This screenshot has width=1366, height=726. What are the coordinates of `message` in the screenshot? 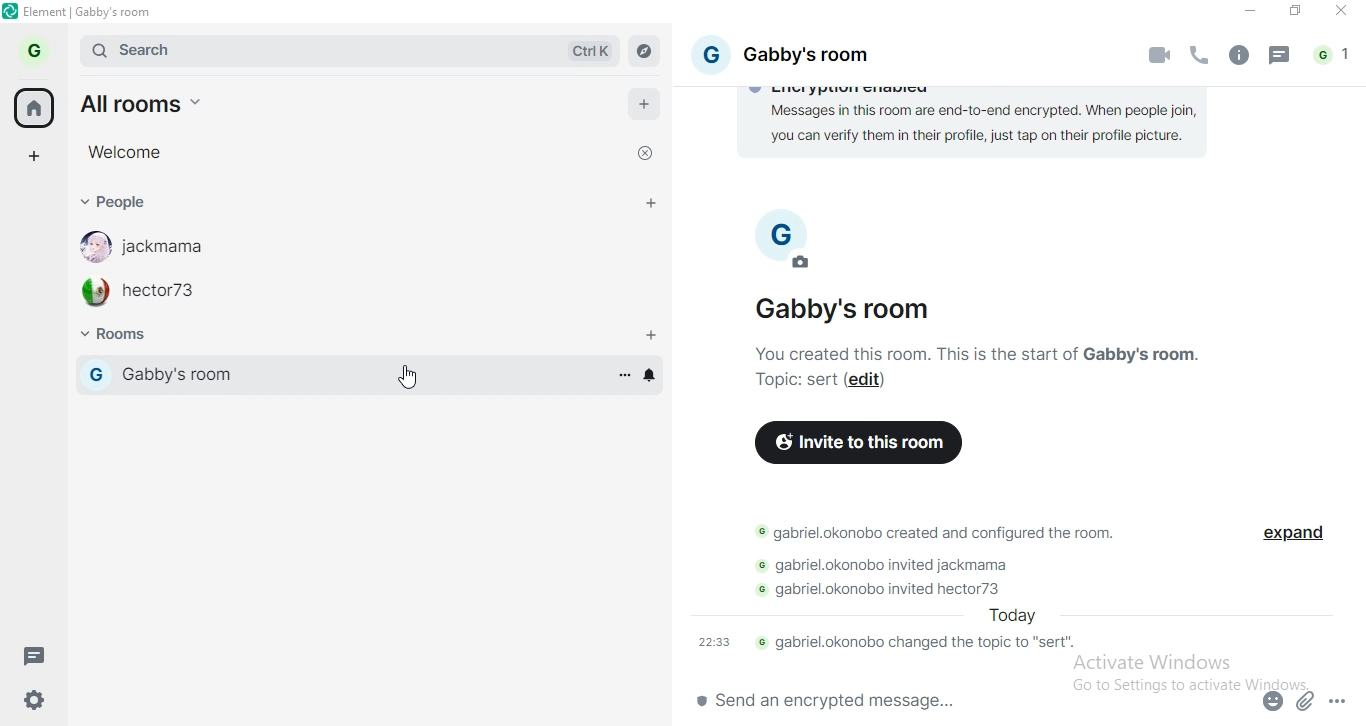 It's located at (1280, 59).